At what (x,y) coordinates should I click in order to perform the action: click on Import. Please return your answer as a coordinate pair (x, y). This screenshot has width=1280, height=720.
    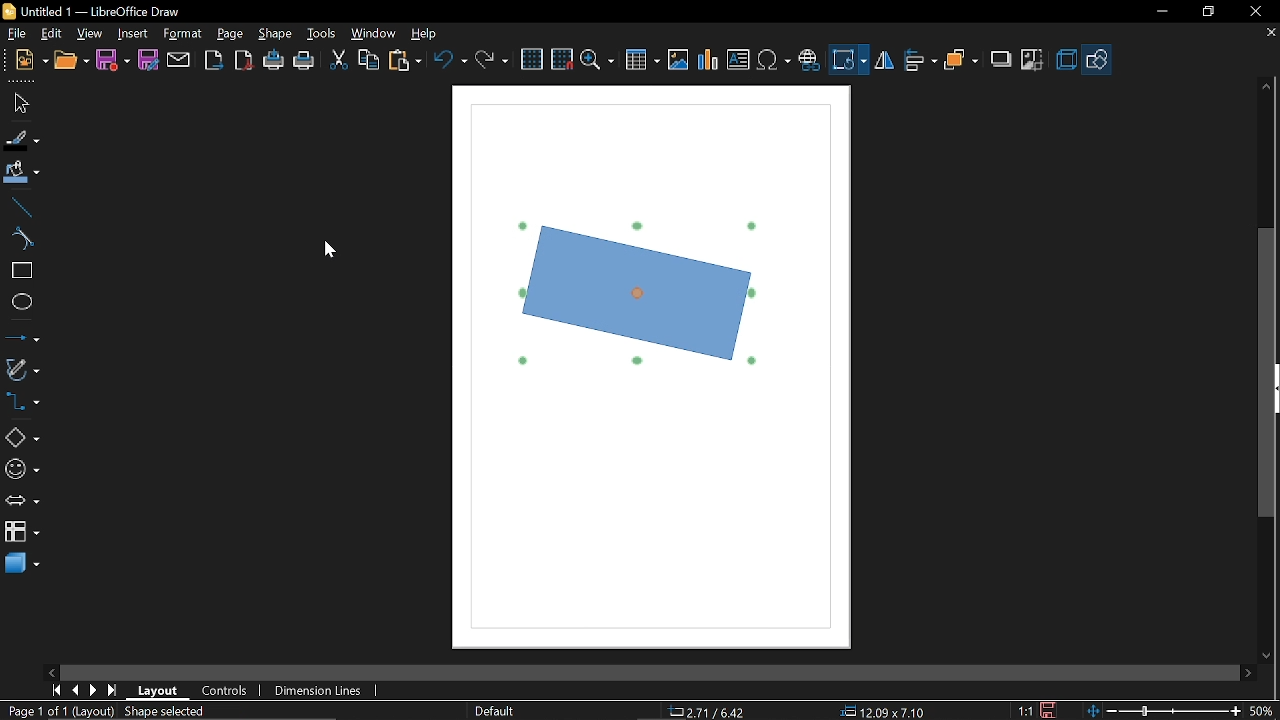
    Looking at the image, I should click on (215, 61).